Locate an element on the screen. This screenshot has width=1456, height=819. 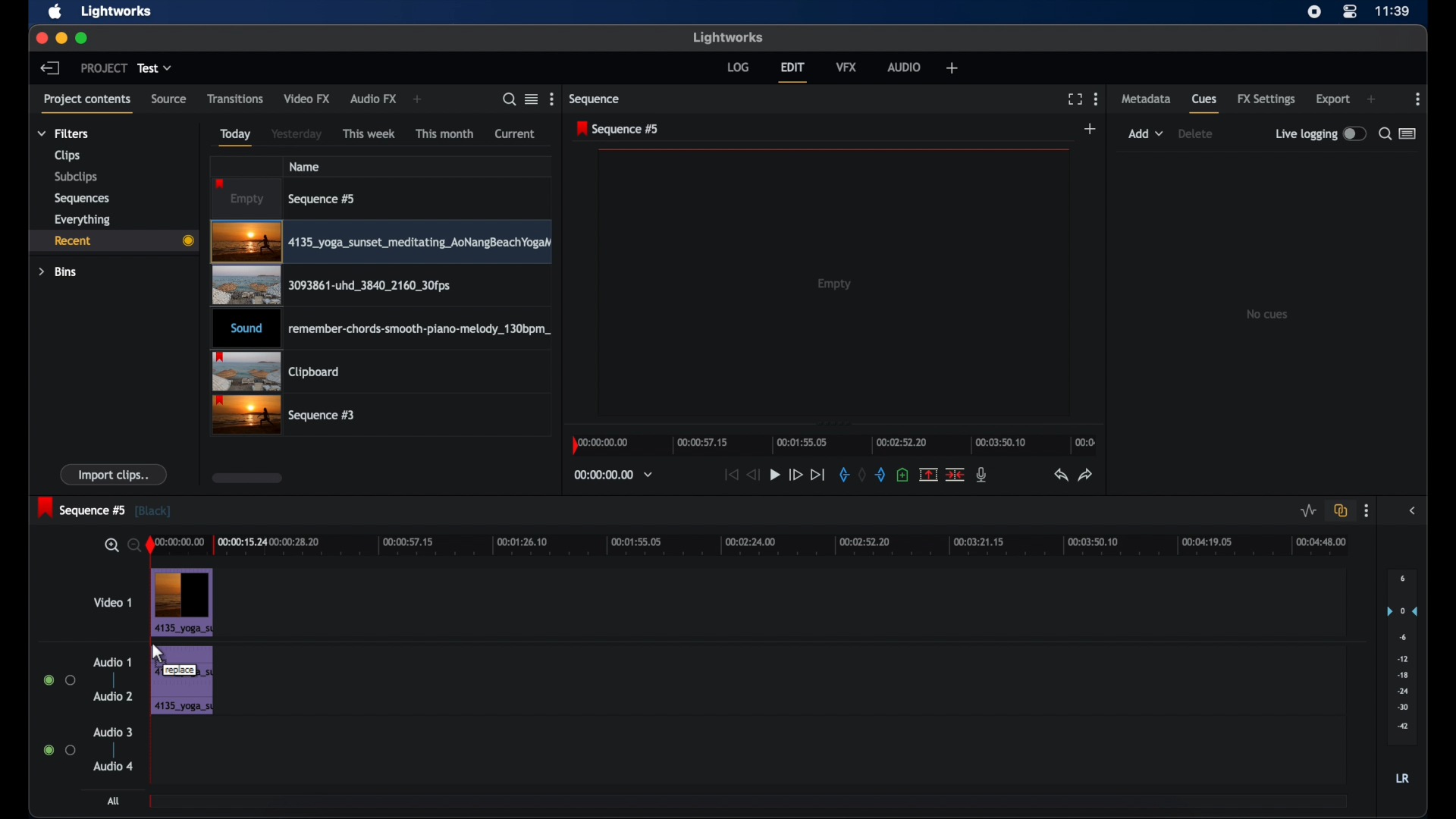
clipboard is located at coordinates (276, 371).